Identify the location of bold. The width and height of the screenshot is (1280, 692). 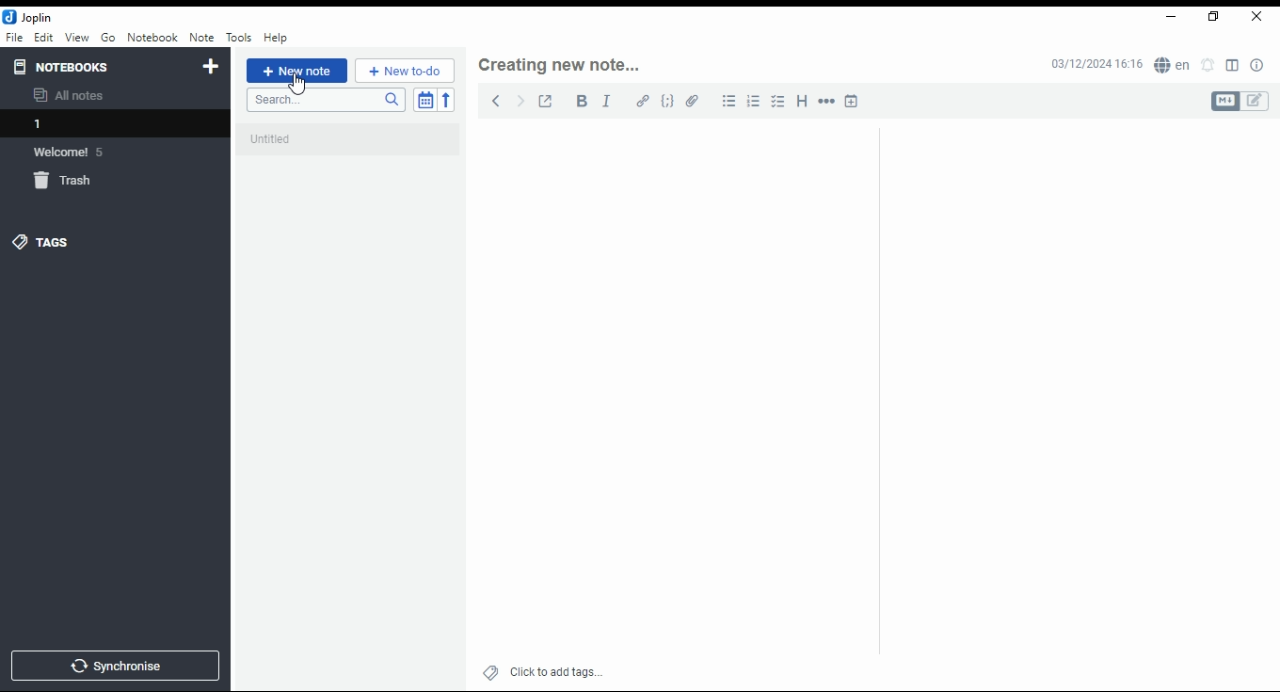
(581, 101).